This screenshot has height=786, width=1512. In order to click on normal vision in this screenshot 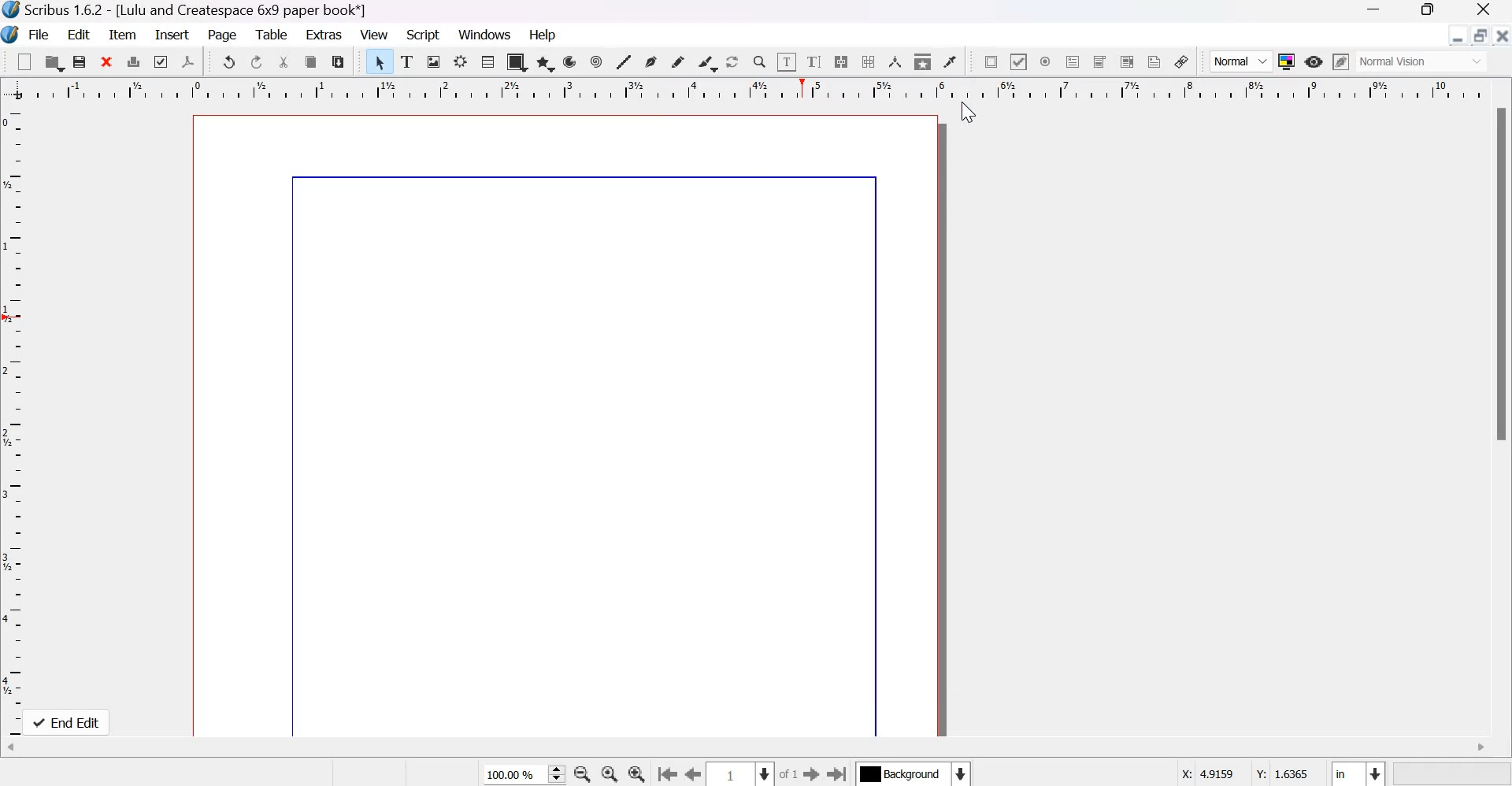, I will do `click(1422, 61)`.